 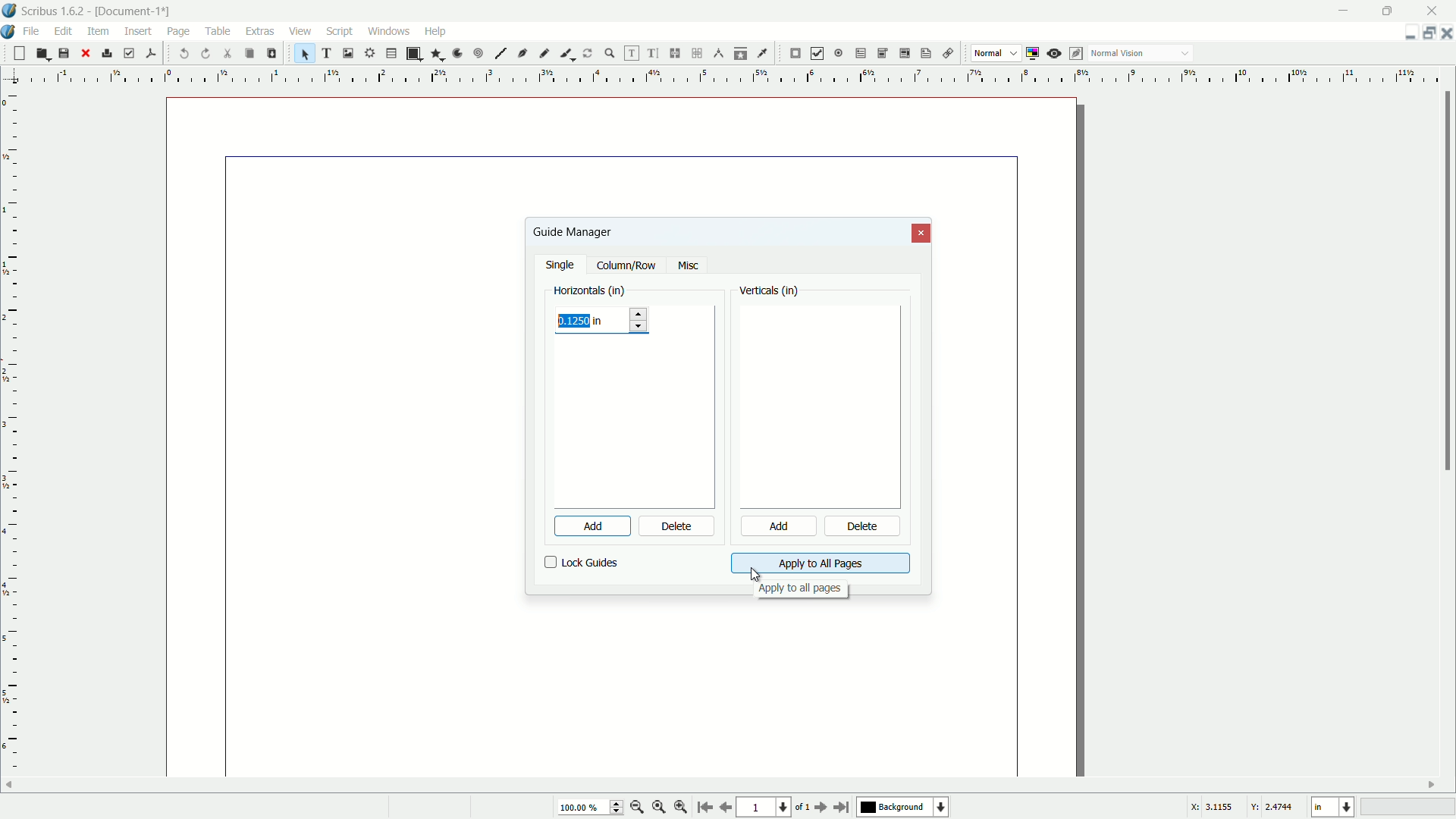 What do you see at coordinates (654, 54) in the screenshot?
I see `edit text with story editor` at bounding box center [654, 54].